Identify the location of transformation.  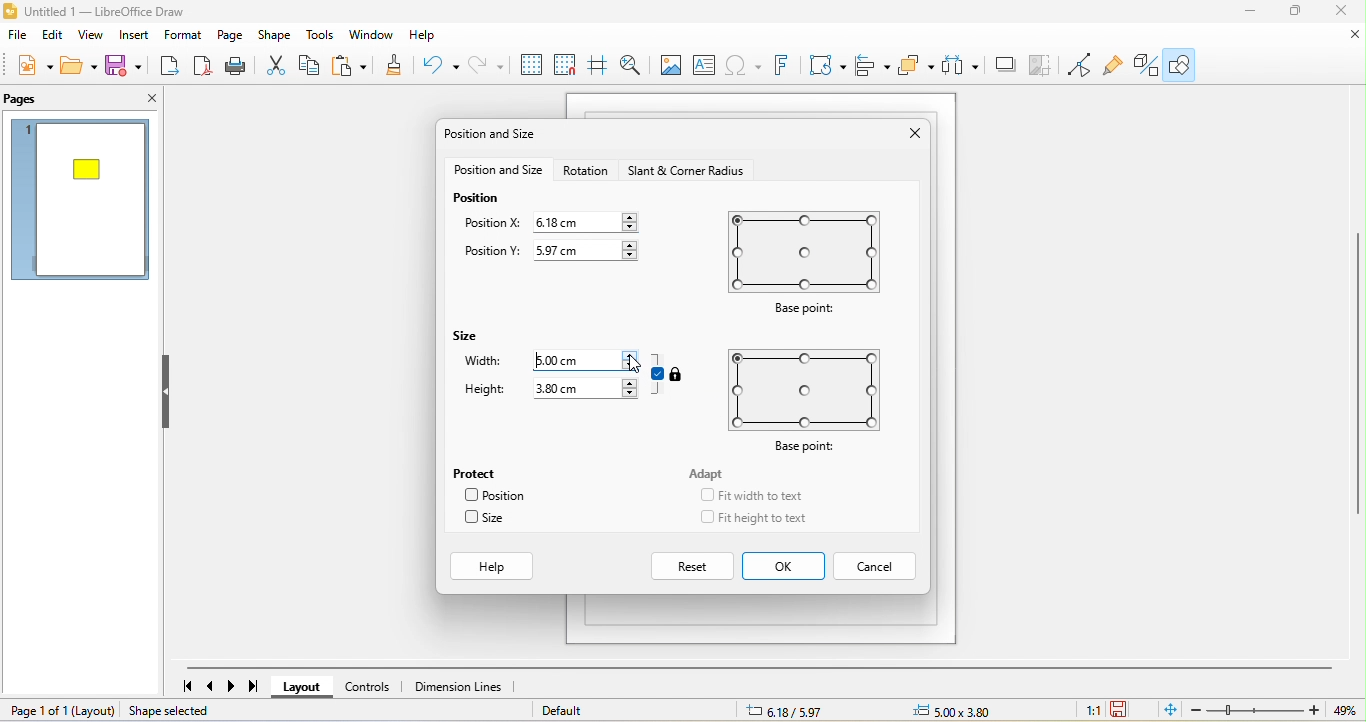
(824, 64).